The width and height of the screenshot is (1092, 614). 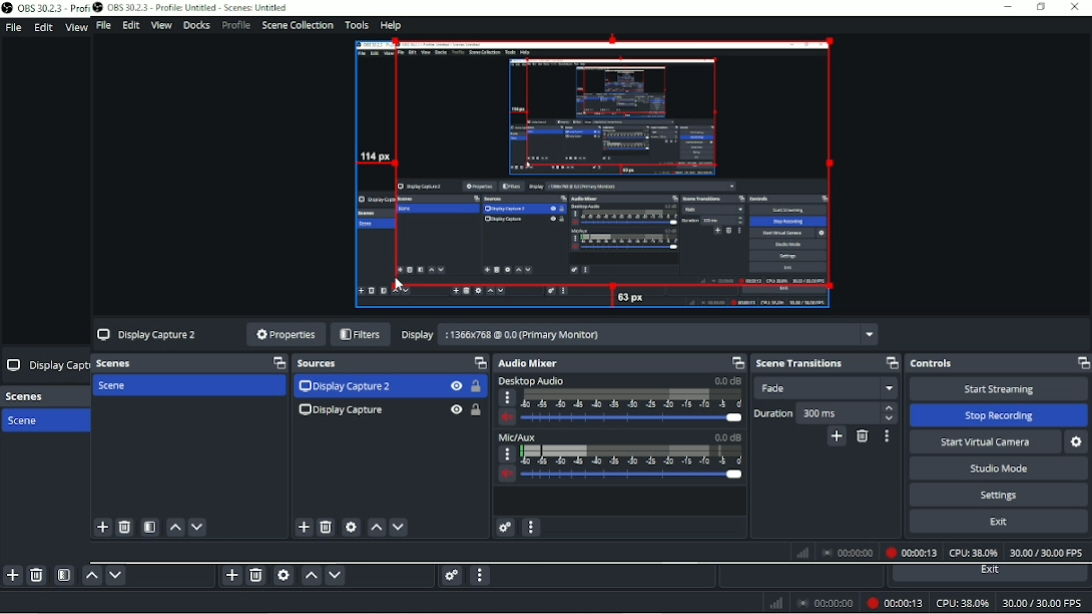 I want to click on Fade, so click(x=829, y=386).